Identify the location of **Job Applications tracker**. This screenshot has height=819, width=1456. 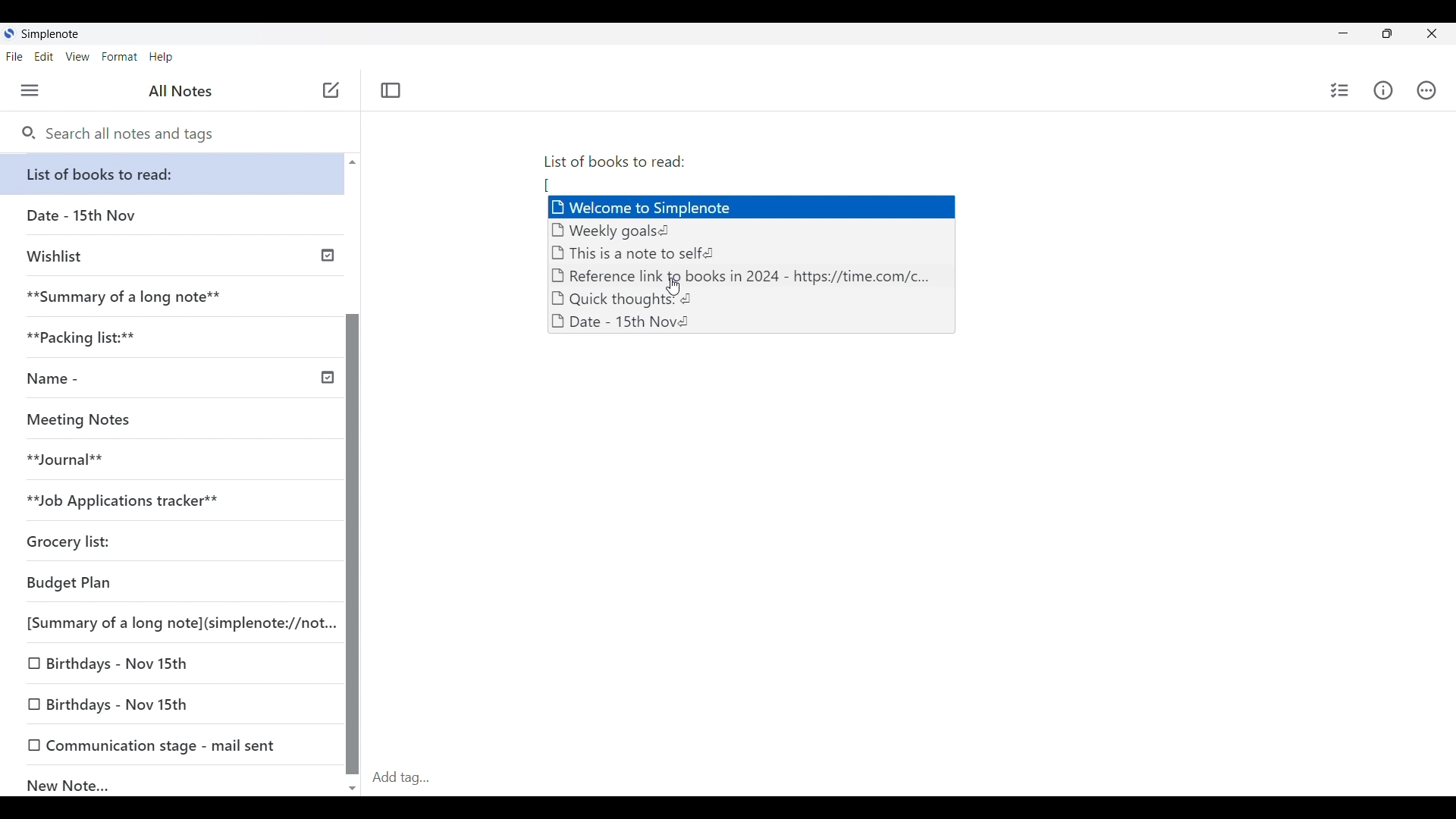
(167, 501).